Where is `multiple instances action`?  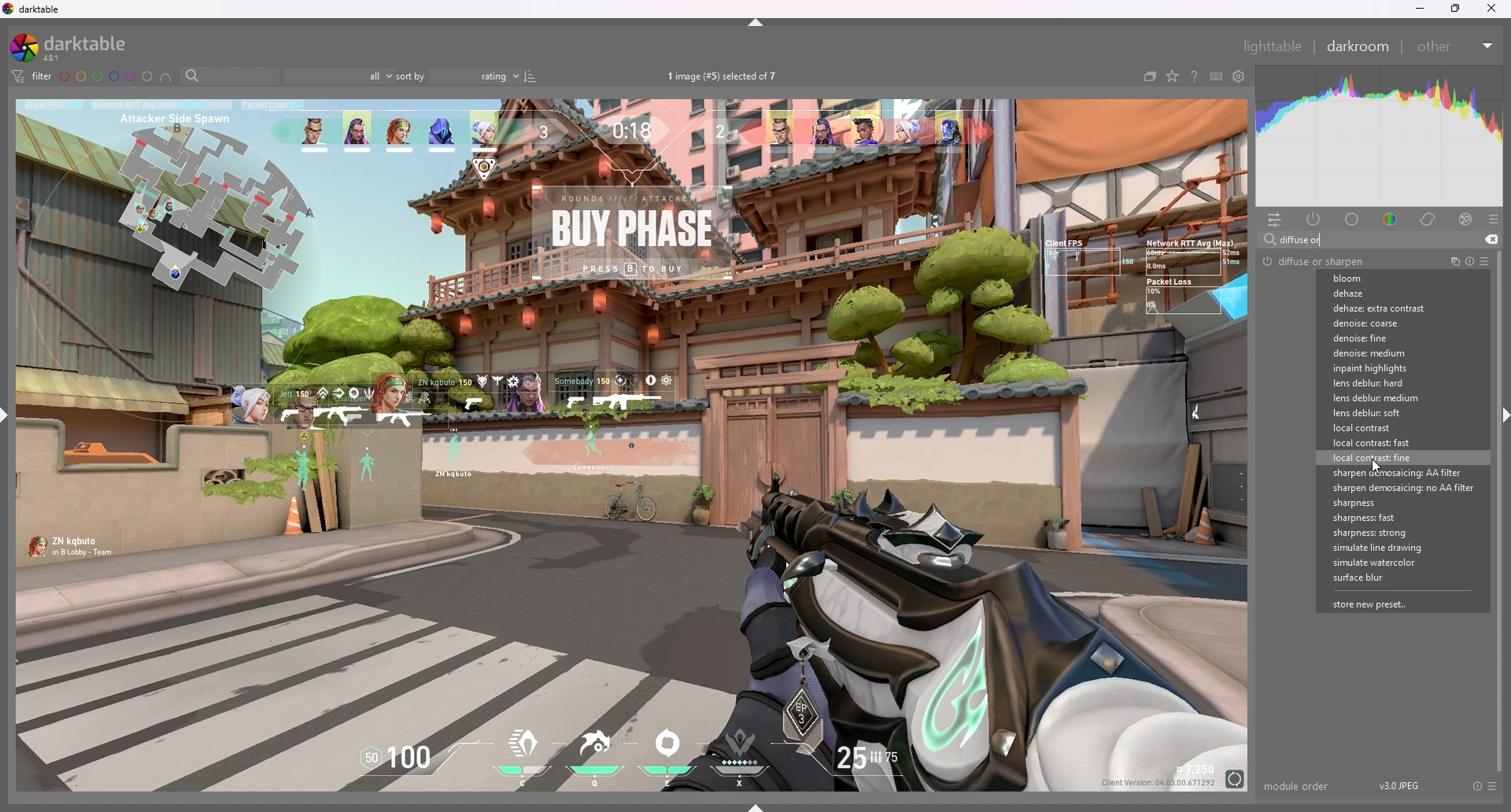
multiple instances action is located at coordinates (1450, 262).